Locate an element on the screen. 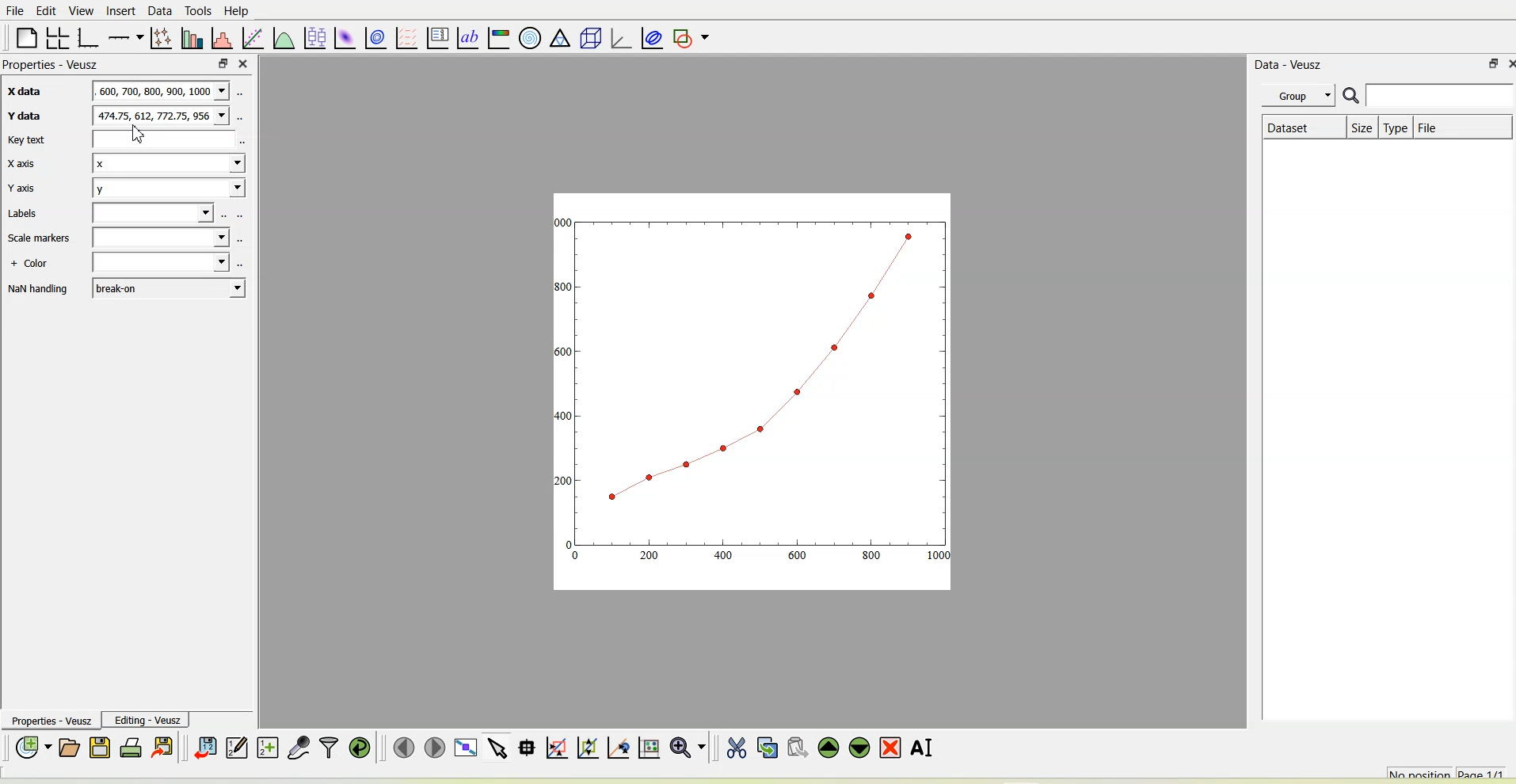 The height and width of the screenshot is (784, 1516). Print the document is located at coordinates (131, 747).